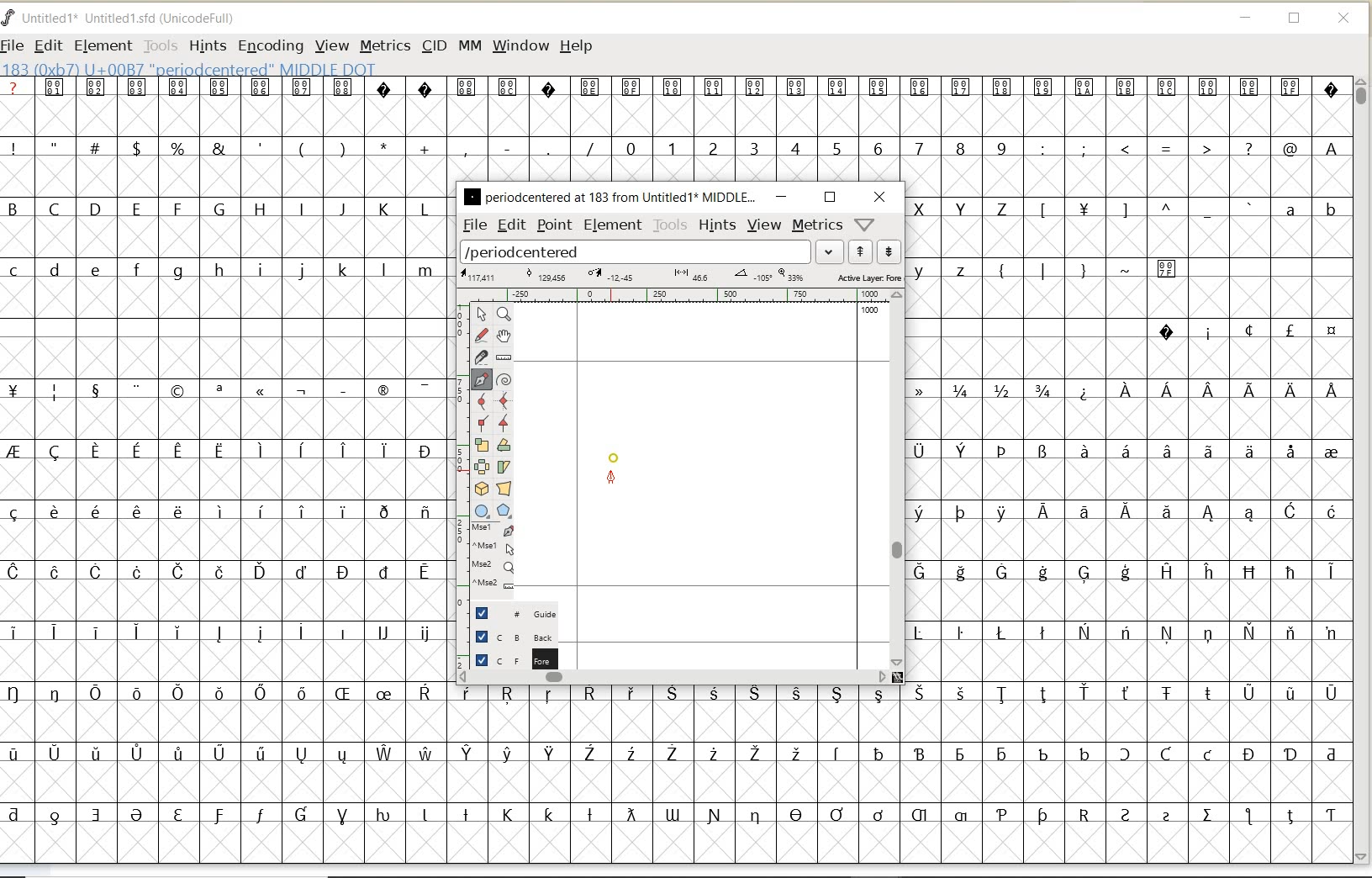 The height and width of the screenshot is (878, 1372). Describe the element at coordinates (224, 271) in the screenshot. I see `lowercase letters` at that location.